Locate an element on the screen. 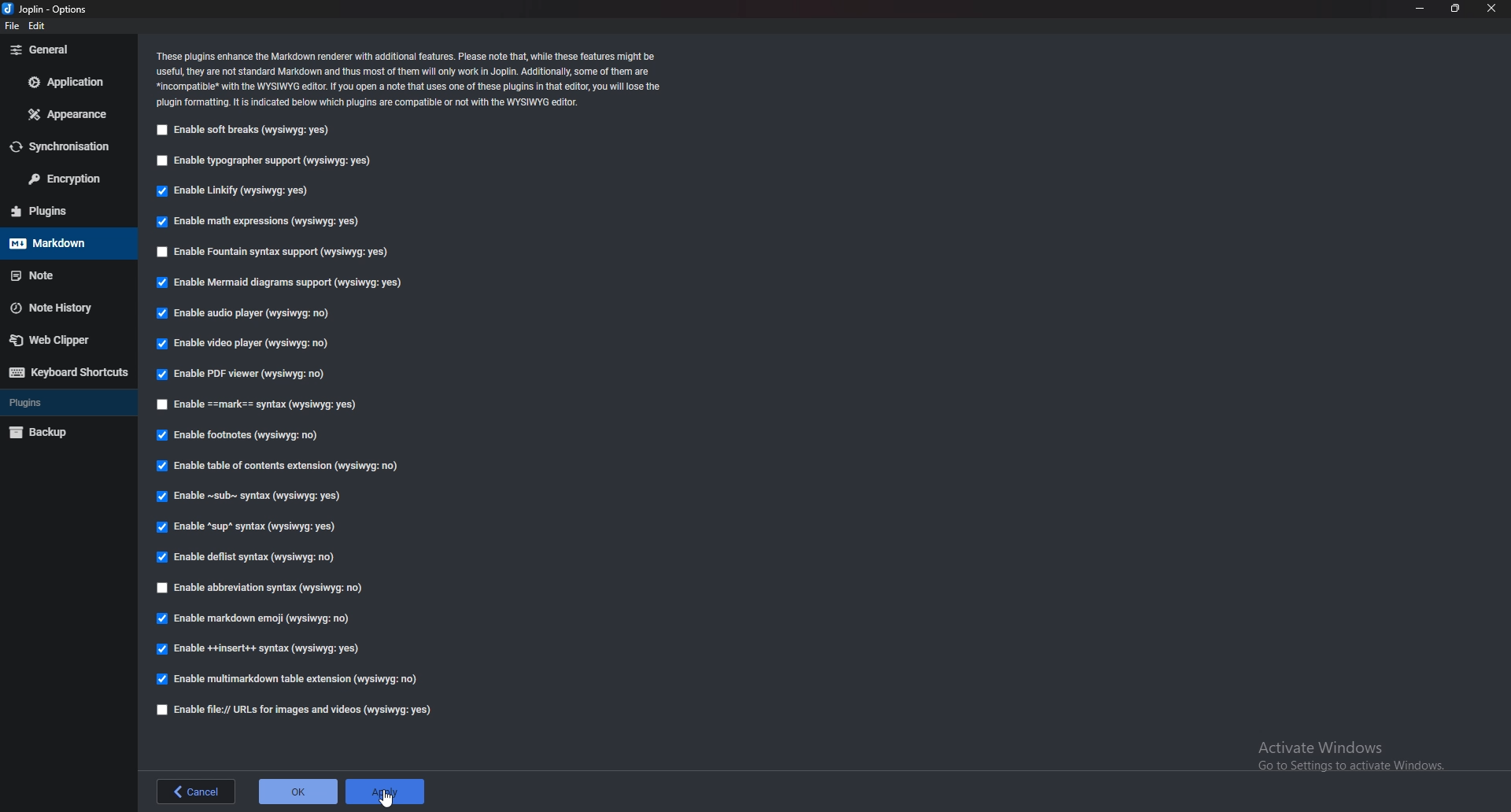  cursor is located at coordinates (383, 798).